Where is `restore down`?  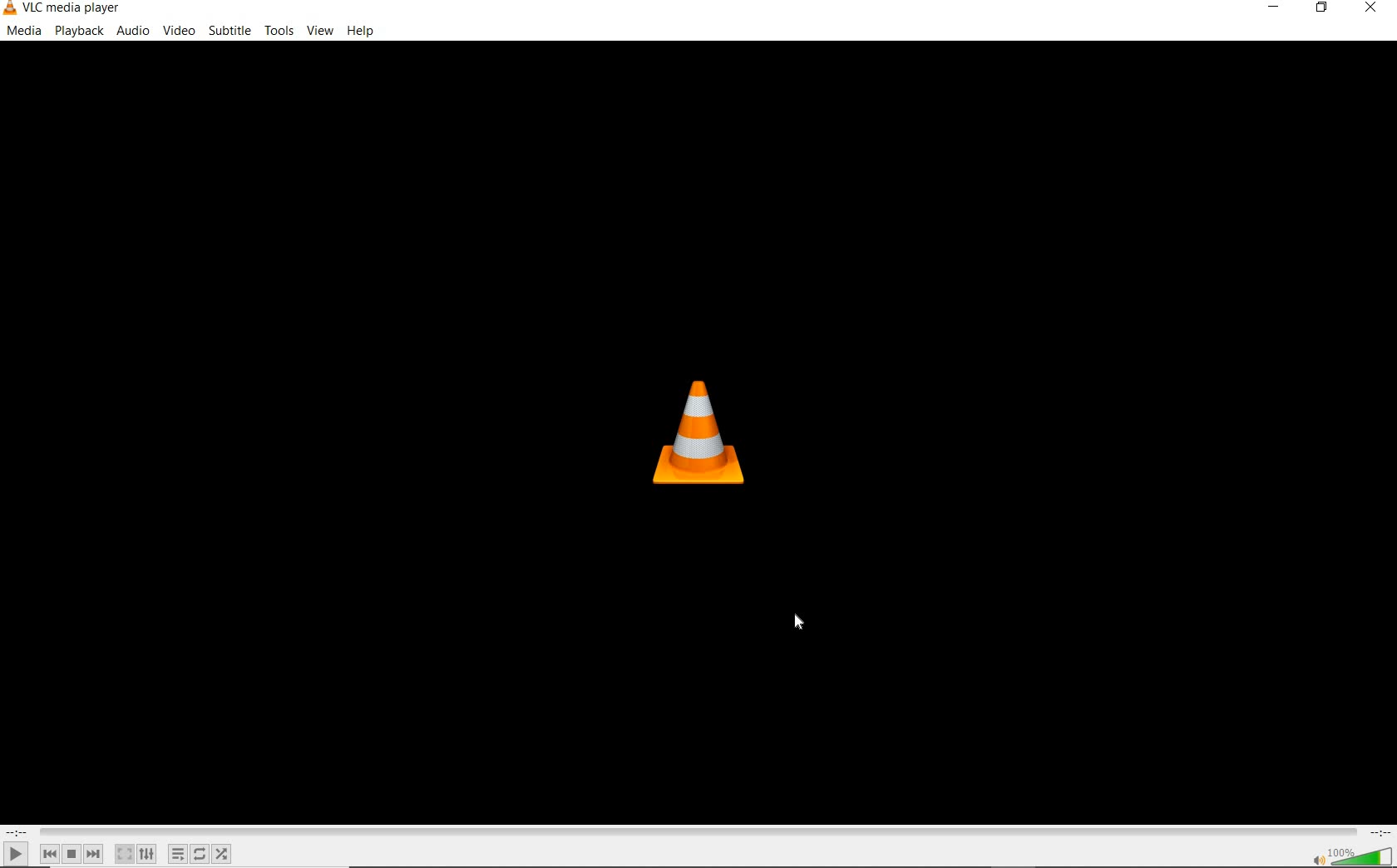
restore down is located at coordinates (1325, 8).